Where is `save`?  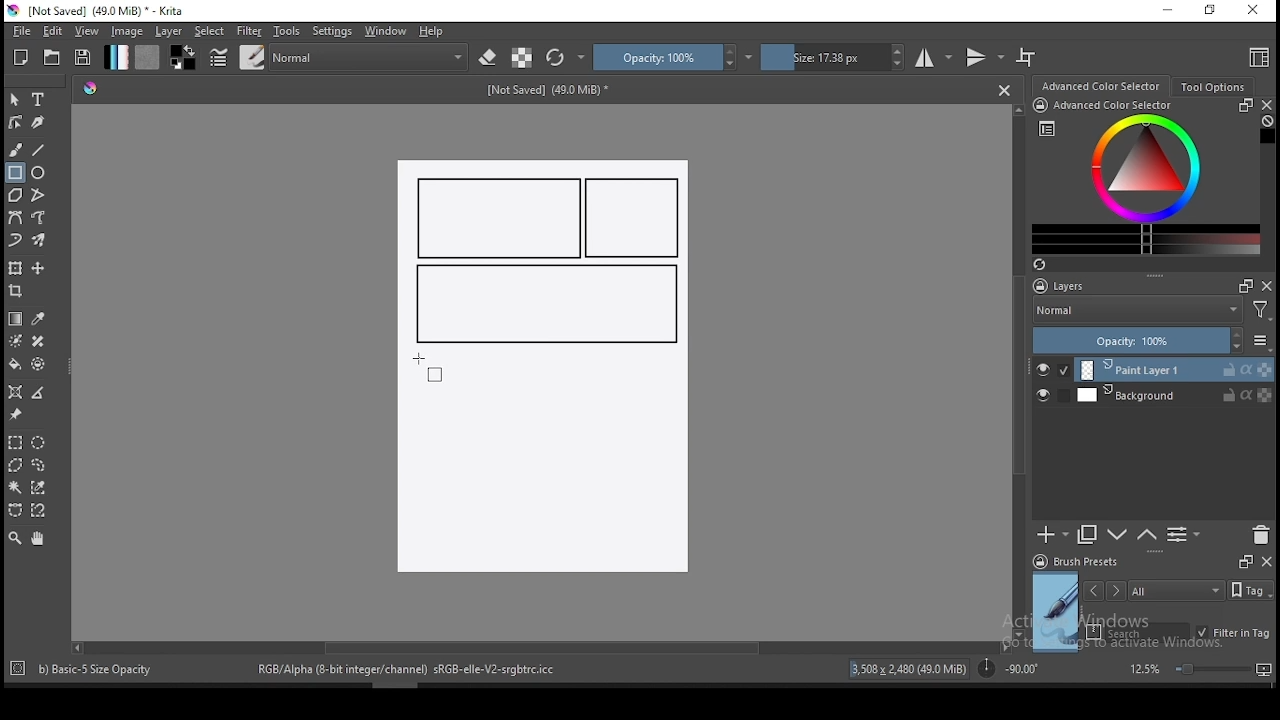
save is located at coordinates (83, 58).